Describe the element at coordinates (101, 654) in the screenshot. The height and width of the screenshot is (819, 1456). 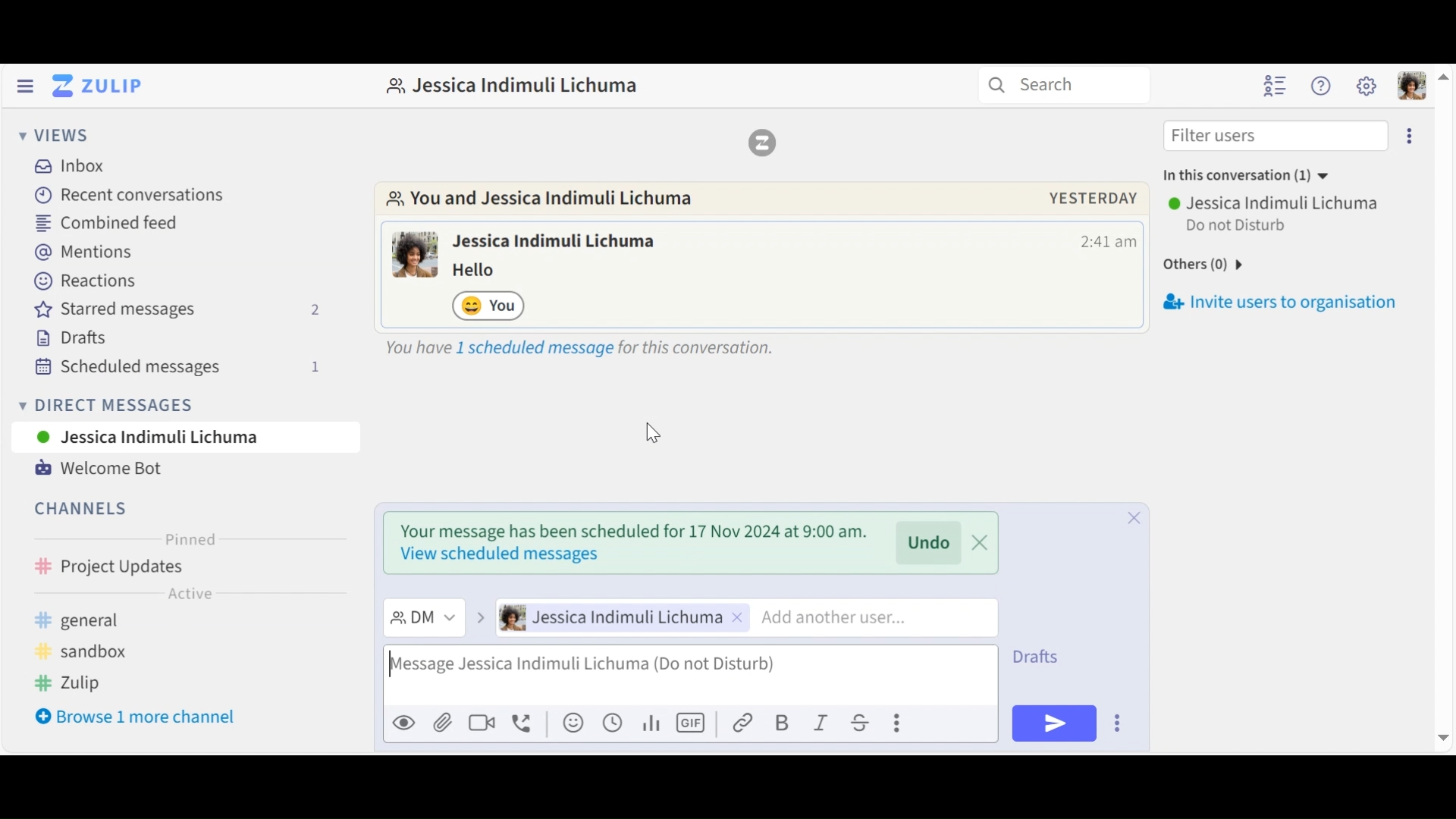
I see `sandbox` at that location.